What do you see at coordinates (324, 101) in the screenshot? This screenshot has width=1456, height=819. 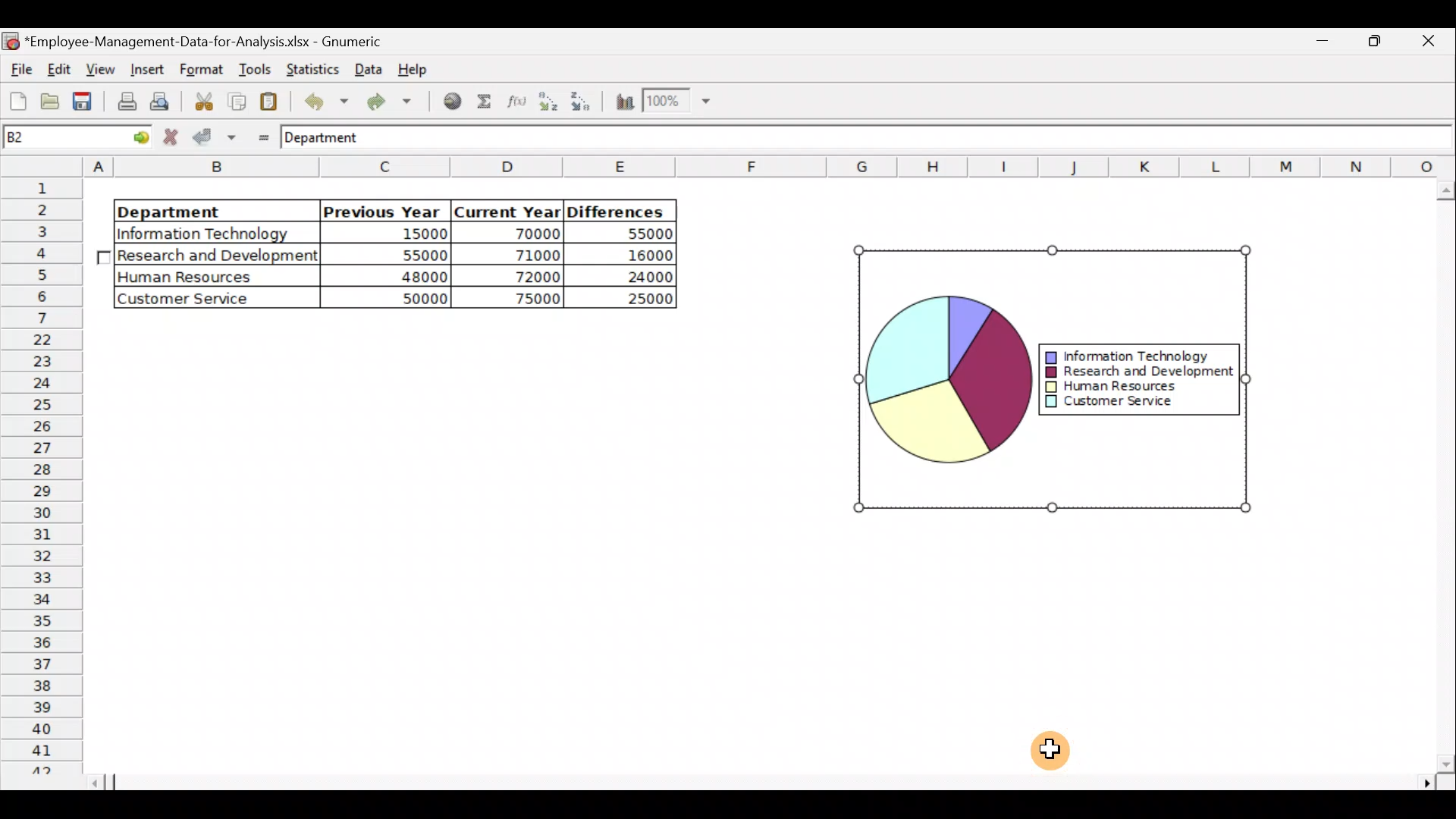 I see `Undo last action` at bounding box center [324, 101].